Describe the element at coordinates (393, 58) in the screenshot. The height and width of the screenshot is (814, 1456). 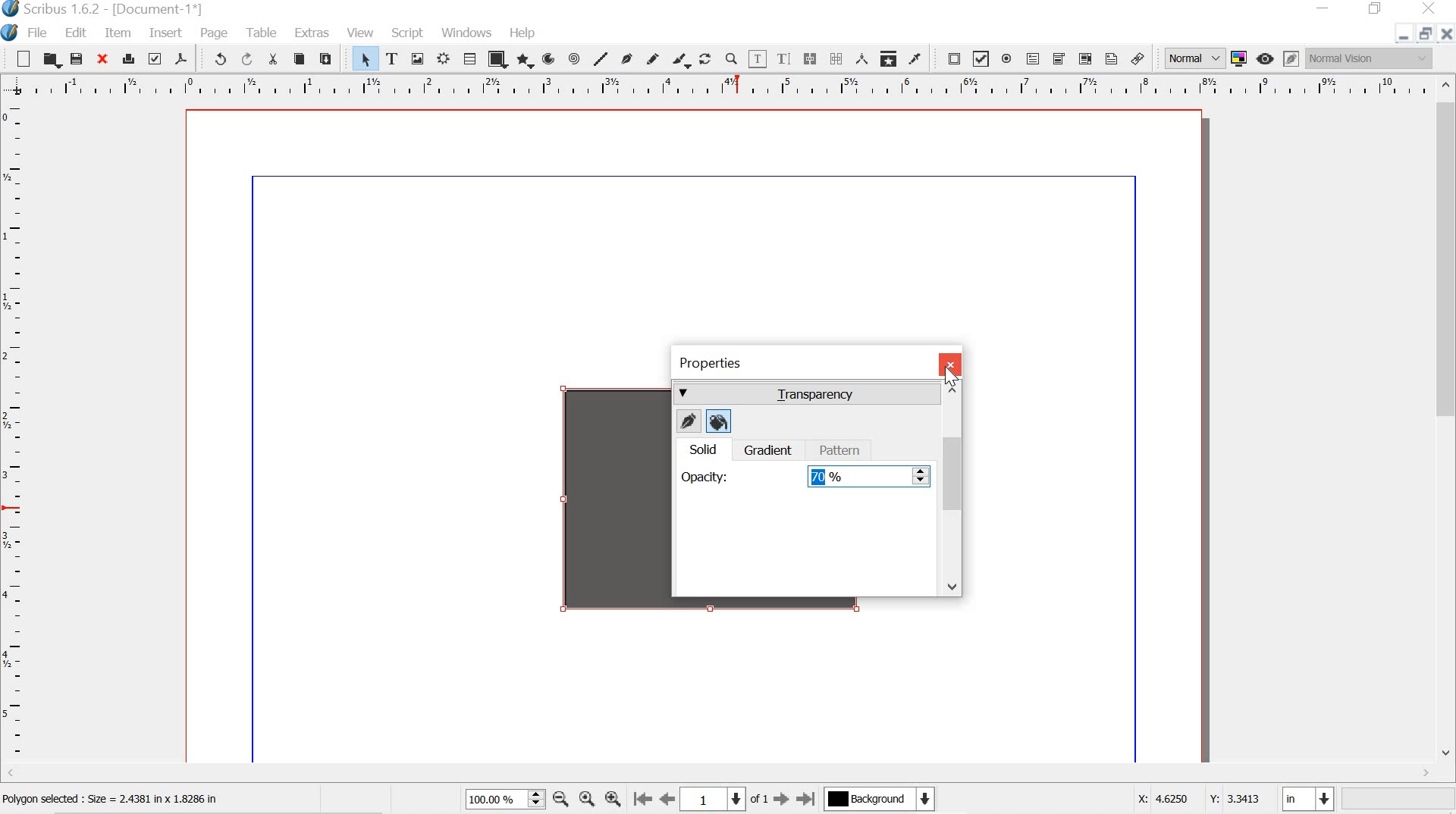
I see `text frame` at that location.